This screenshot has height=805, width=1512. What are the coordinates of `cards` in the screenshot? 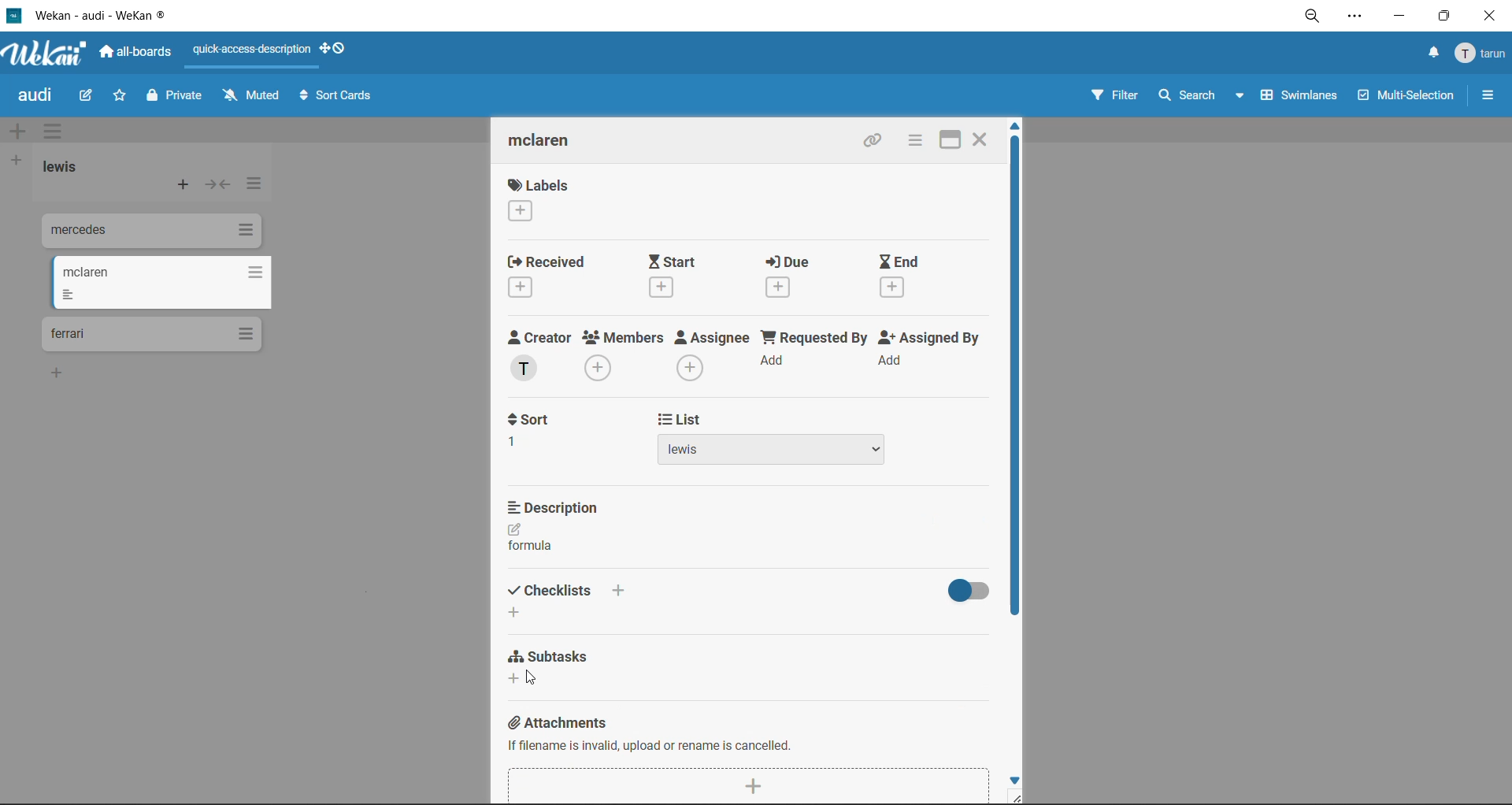 It's located at (151, 335).